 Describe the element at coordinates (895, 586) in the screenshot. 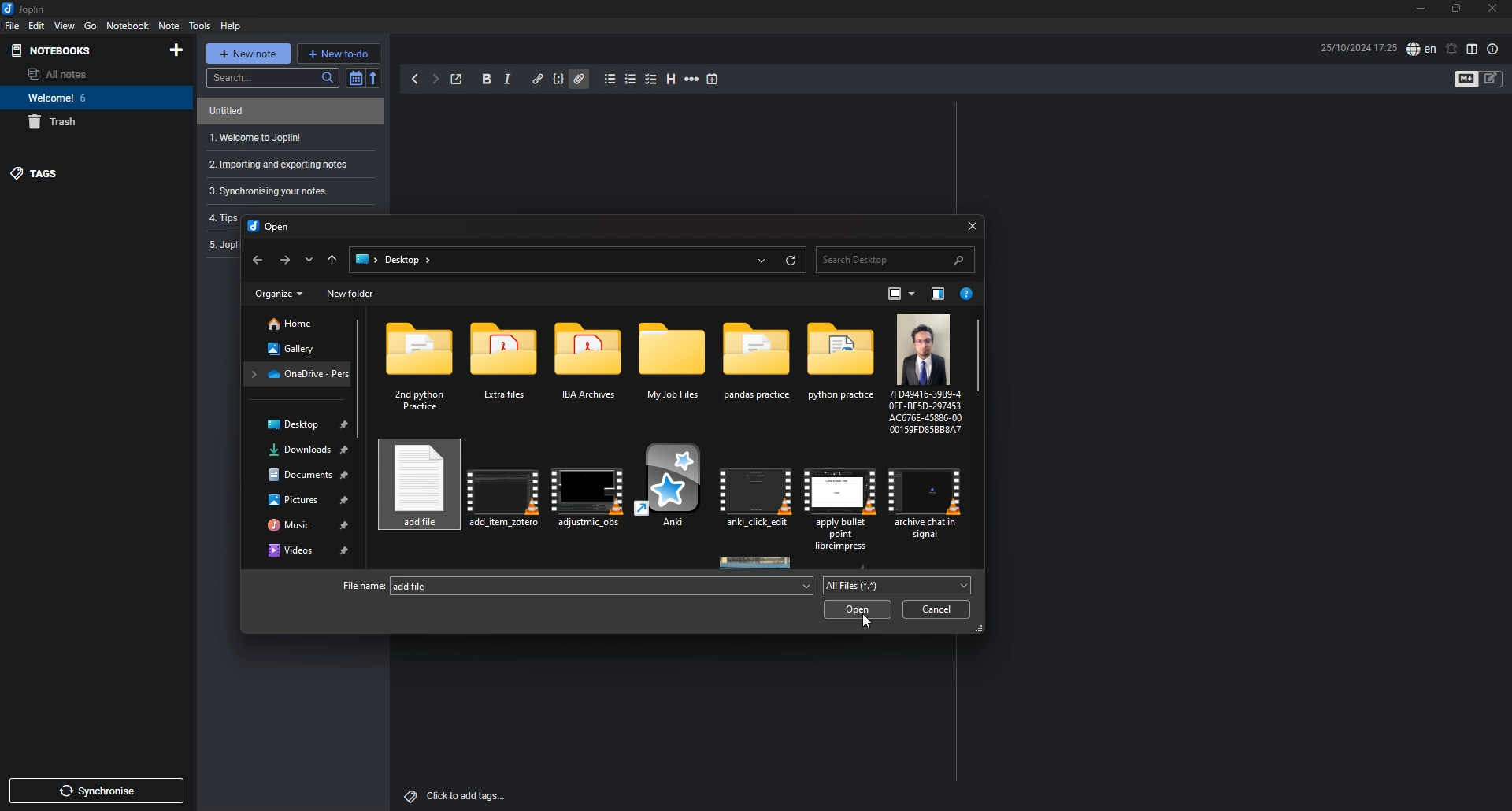

I see `all files` at that location.